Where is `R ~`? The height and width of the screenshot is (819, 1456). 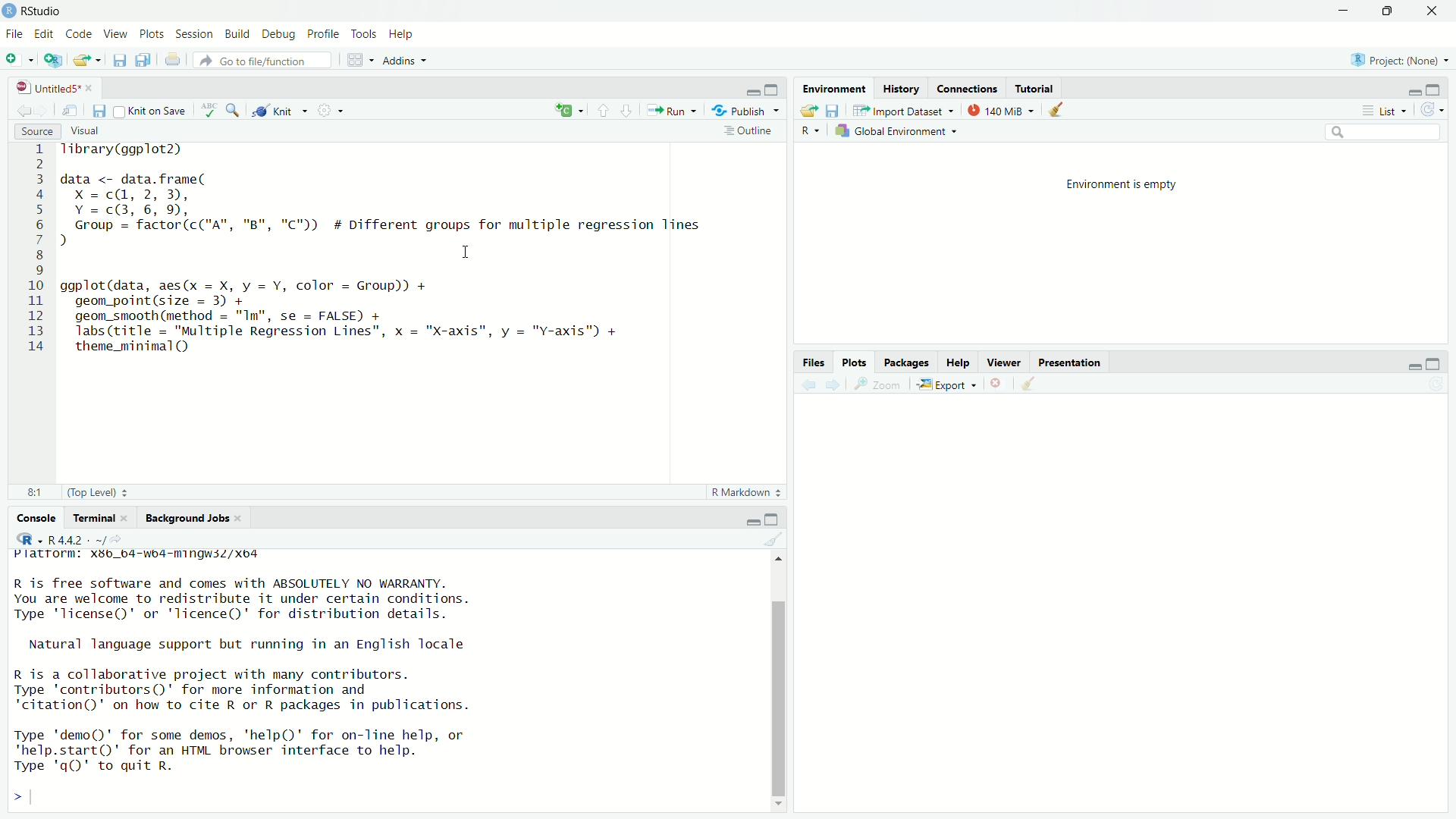
R ~ is located at coordinates (812, 127).